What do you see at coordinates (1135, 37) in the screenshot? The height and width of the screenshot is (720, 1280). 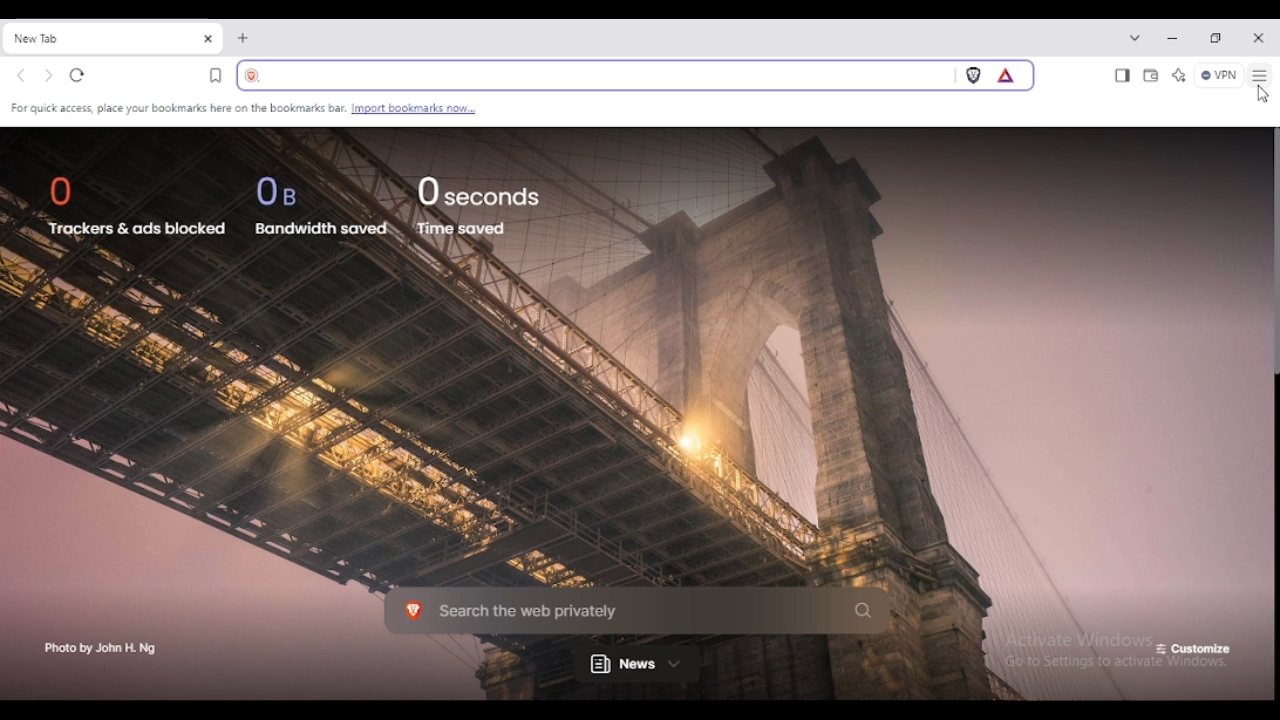 I see `search tabs` at bounding box center [1135, 37].